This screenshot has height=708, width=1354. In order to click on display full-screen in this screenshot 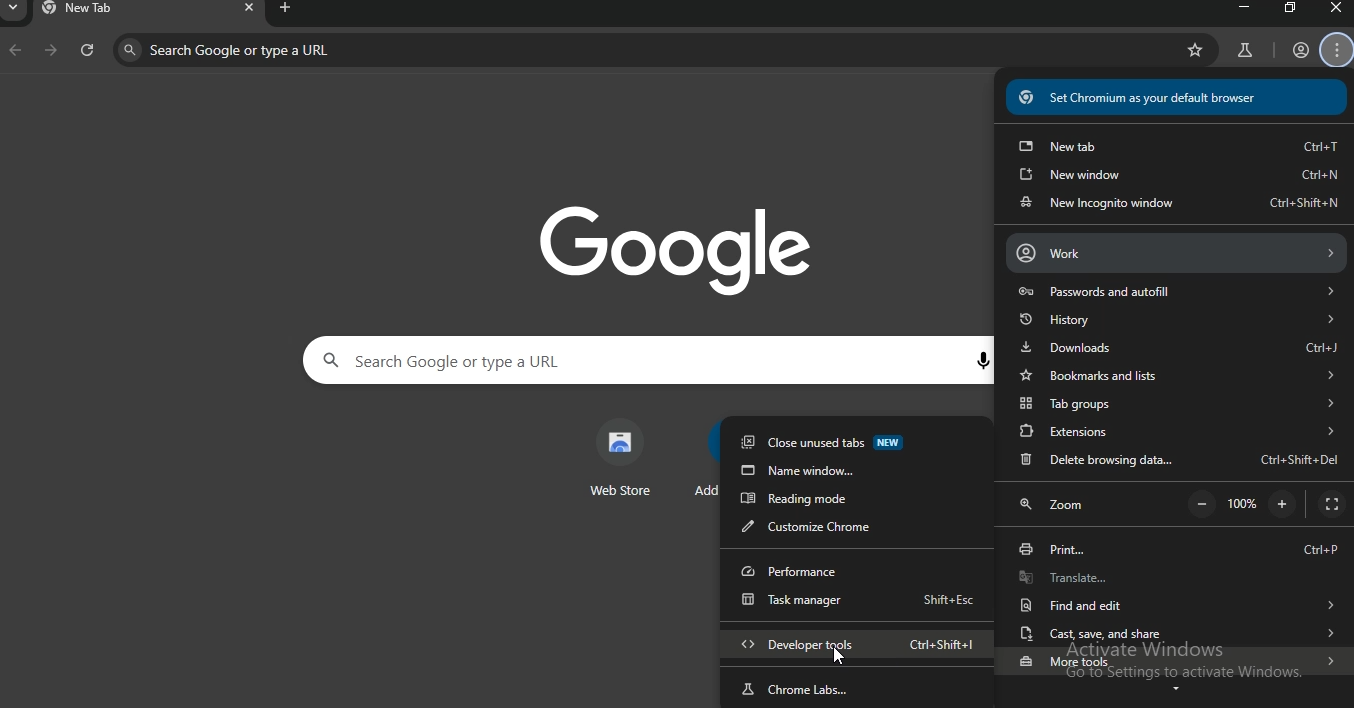, I will do `click(1333, 505)`.